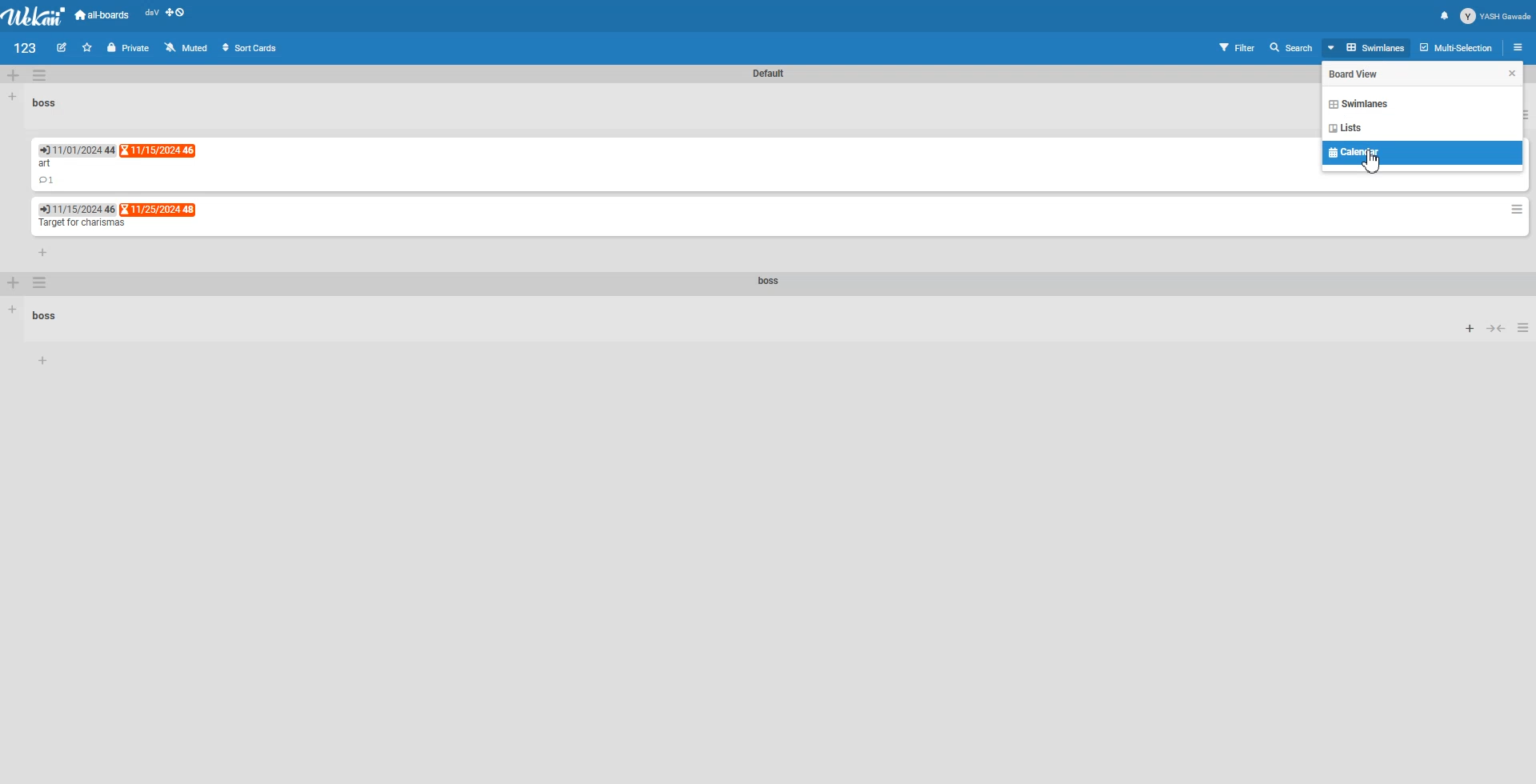 Image resolution: width=1536 pixels, height=784 pixels. What do you see at coordinates (1422, 104) in the screenshot?
I see `Swimlane` at bounding box center [1422, 104].